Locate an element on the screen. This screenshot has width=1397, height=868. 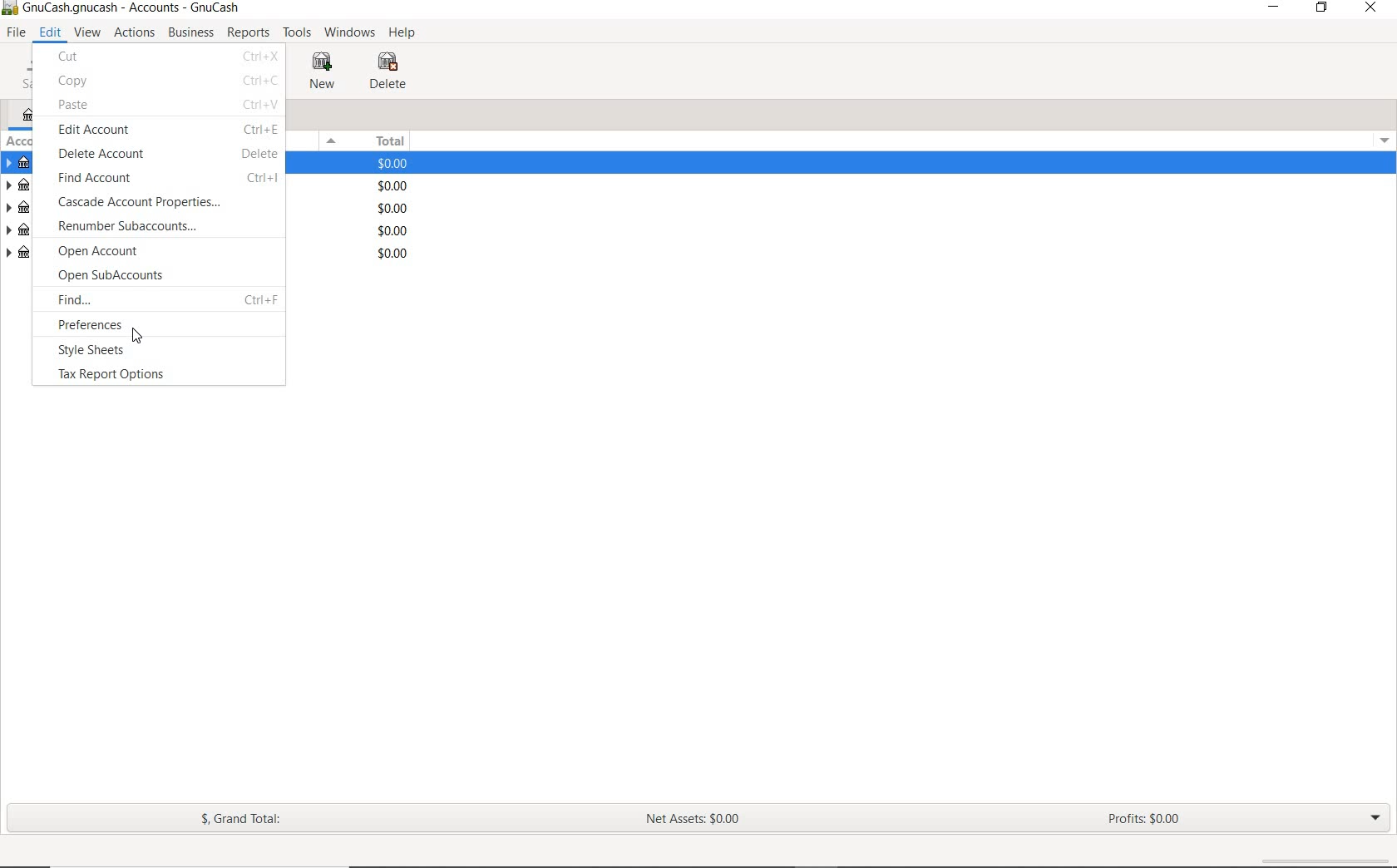
CUT is located at coordinates (166, 57).